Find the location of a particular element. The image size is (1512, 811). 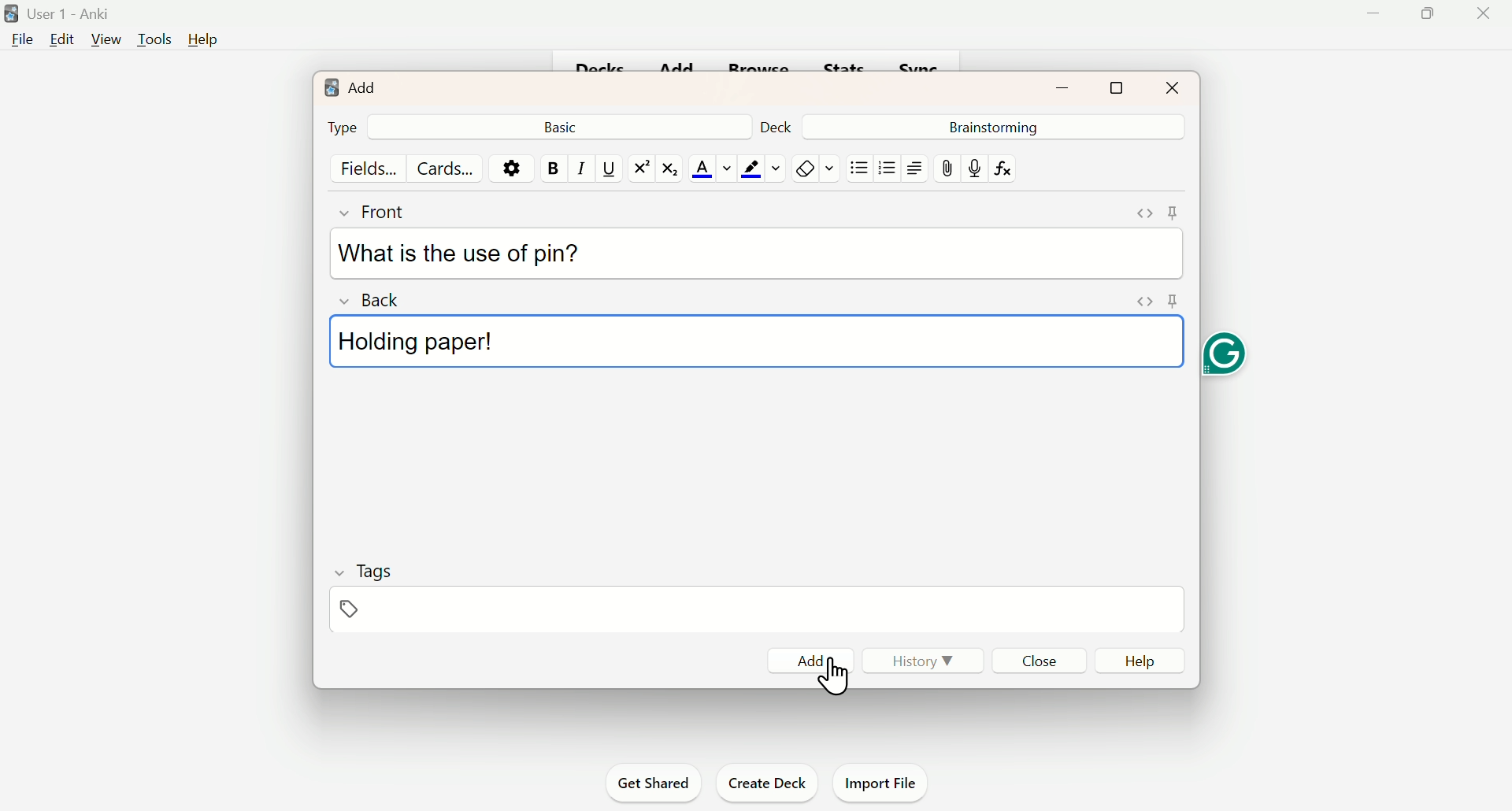

Subscript is located at coordinates (673, 168).